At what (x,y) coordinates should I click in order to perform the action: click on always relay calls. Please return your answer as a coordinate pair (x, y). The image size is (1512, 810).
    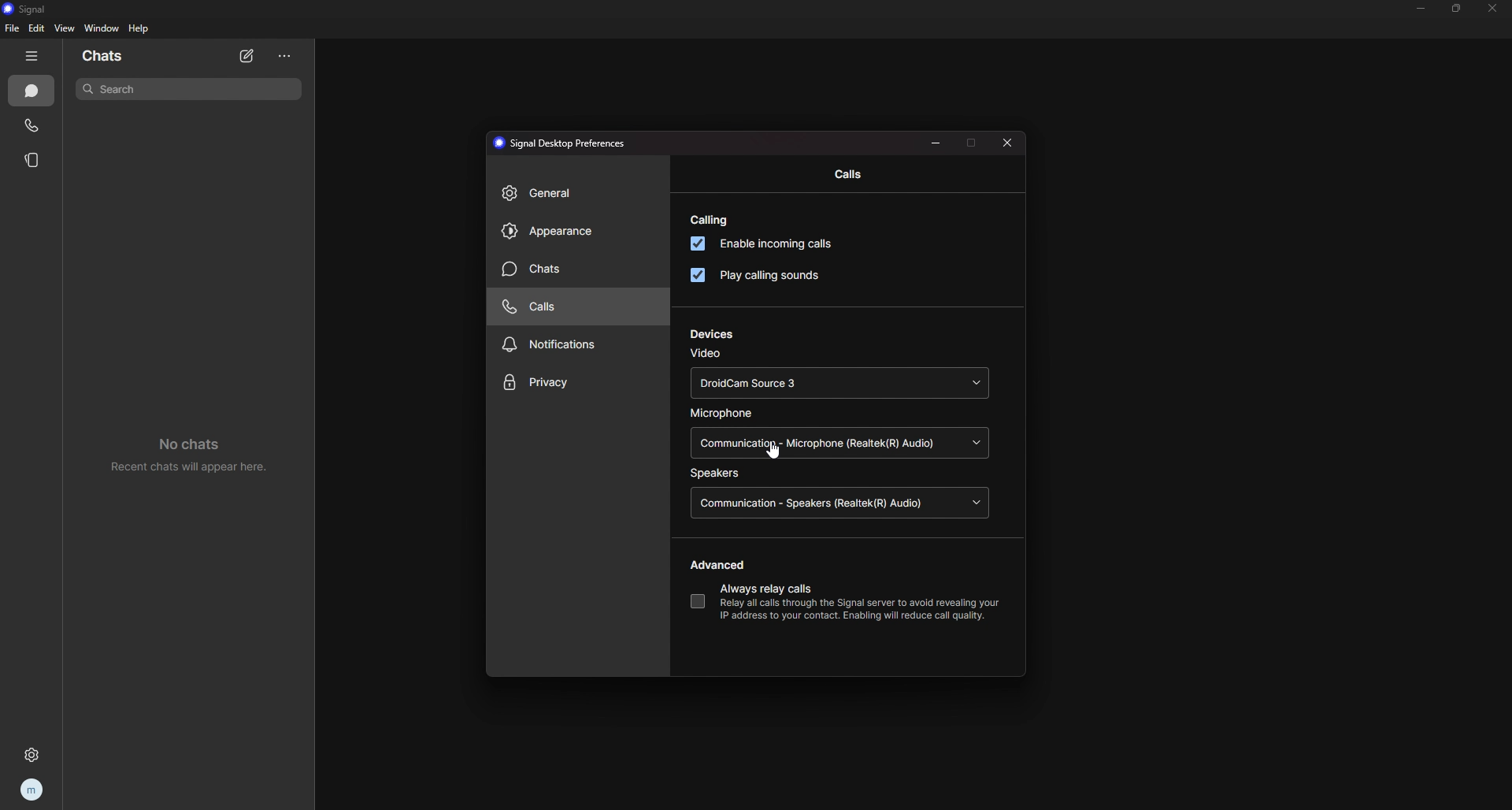
    Looking at the image, I should click on (698, 601).